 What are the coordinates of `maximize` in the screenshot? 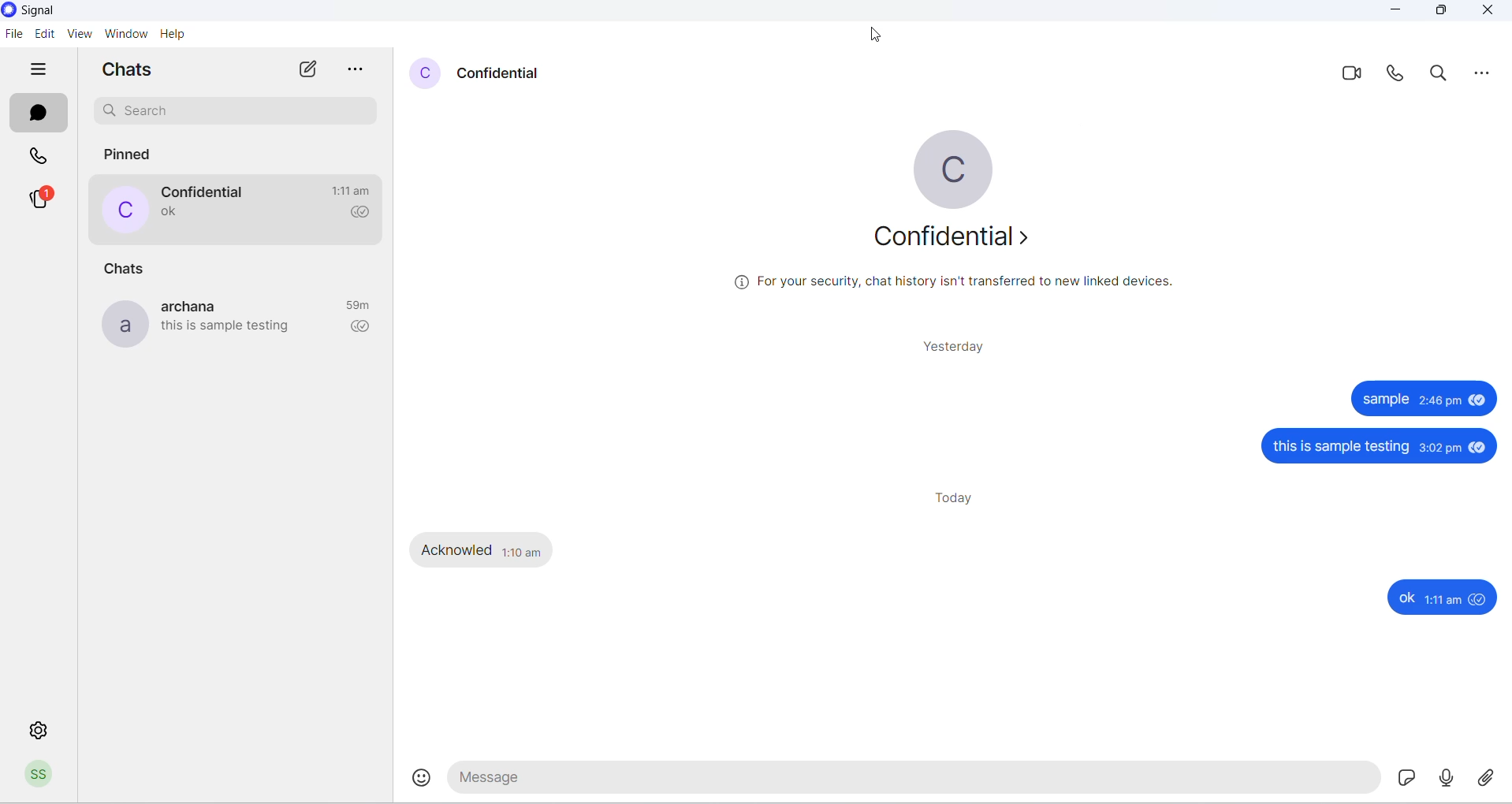 It's located at (1443, 14).